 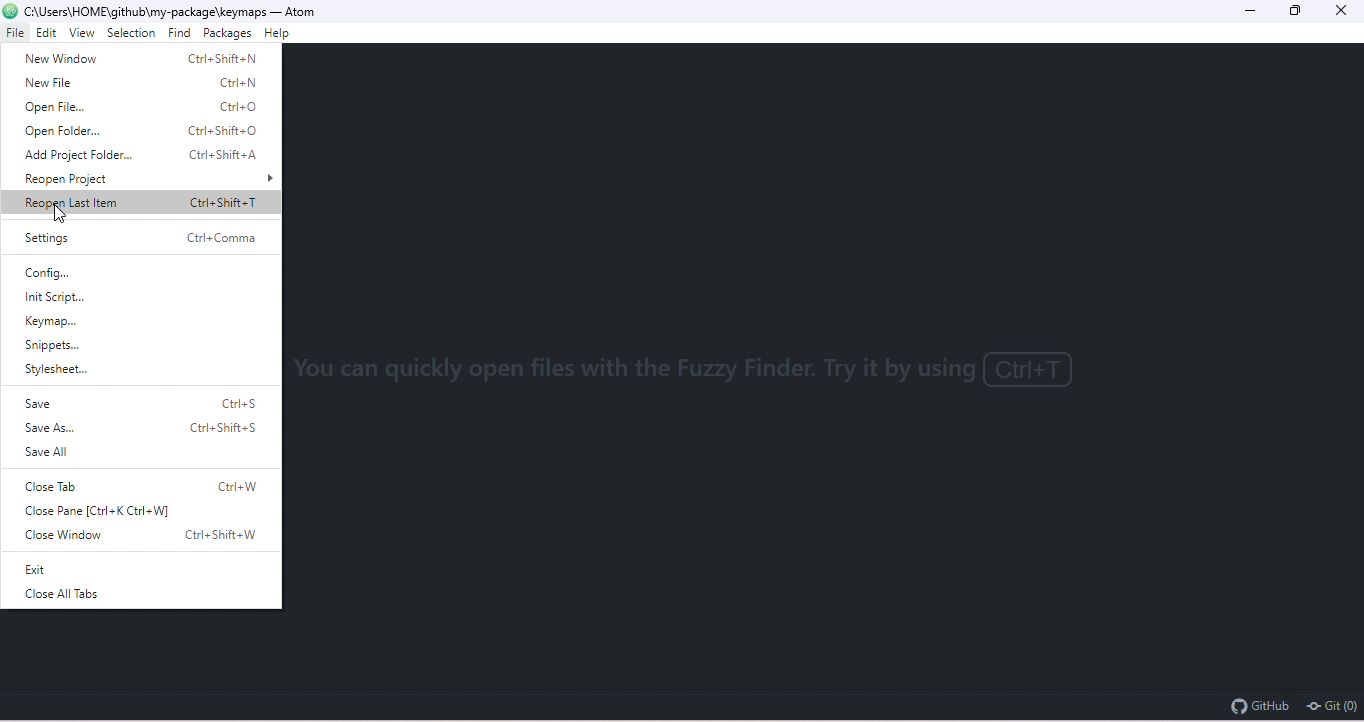 I want to click on open folder, so click(x=139, y=133).